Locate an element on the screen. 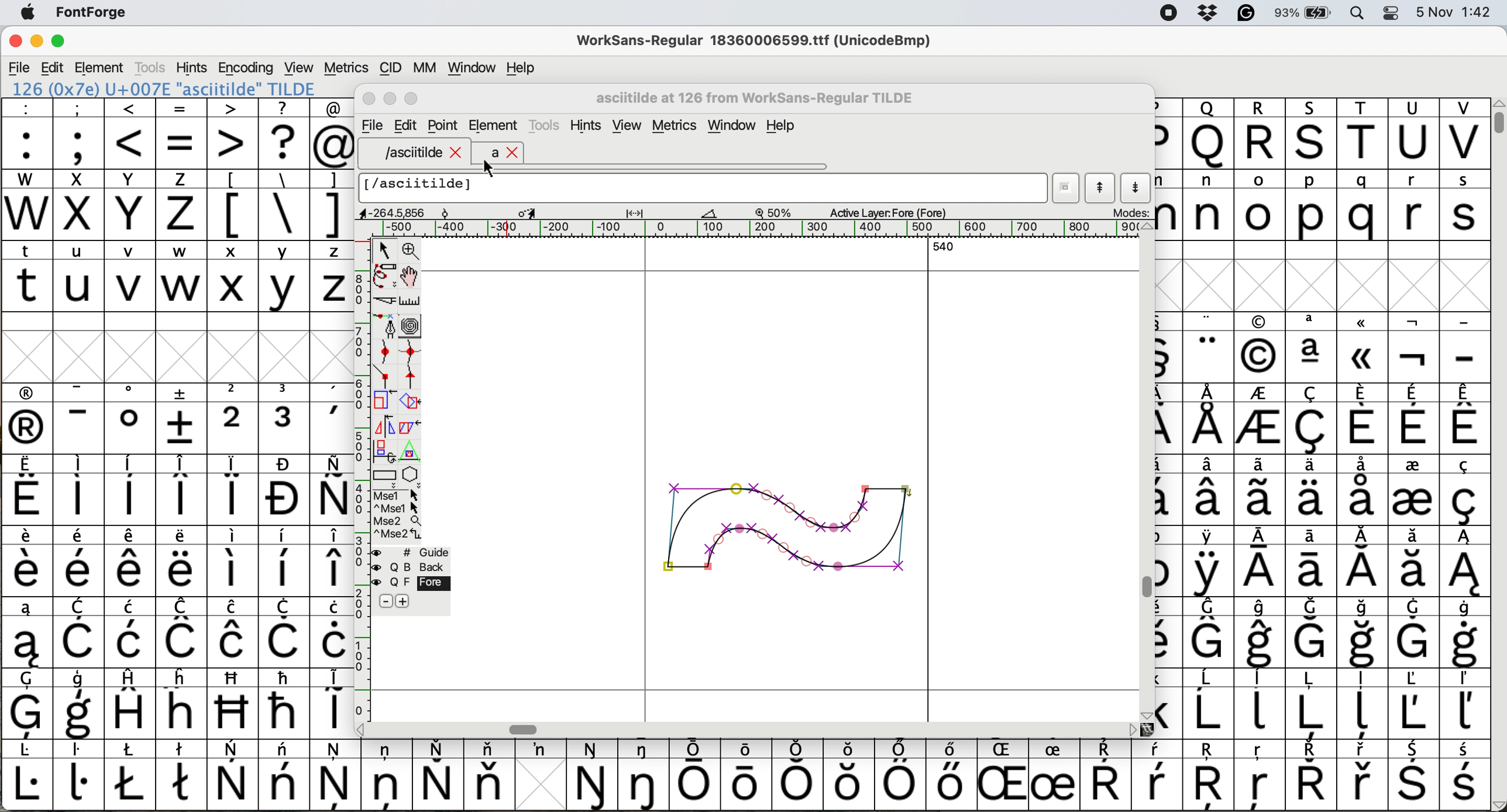 The image size is (1507, 812). Close is located at coordinates (370, 99).